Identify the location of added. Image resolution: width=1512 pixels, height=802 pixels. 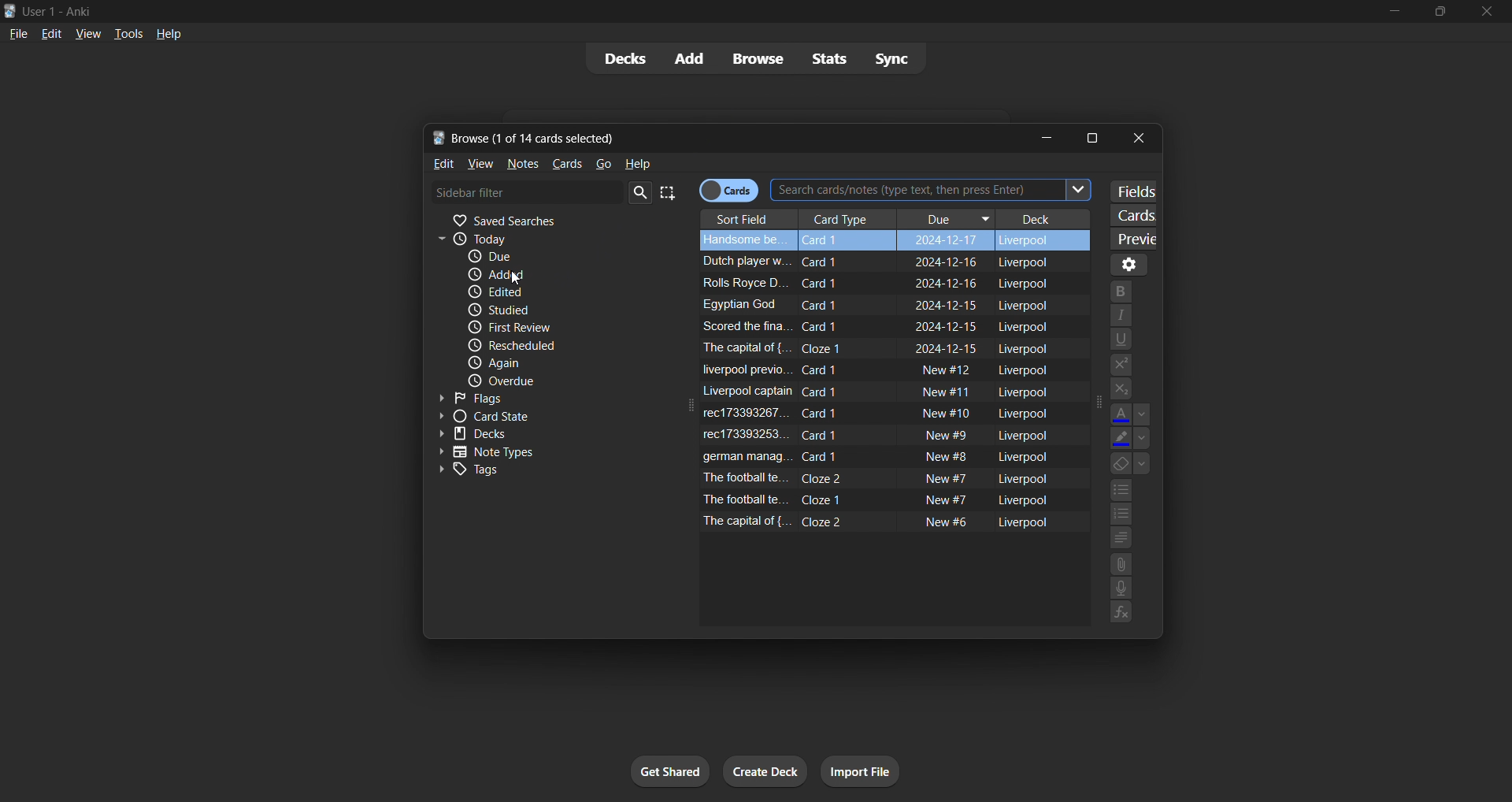
(542, 276).